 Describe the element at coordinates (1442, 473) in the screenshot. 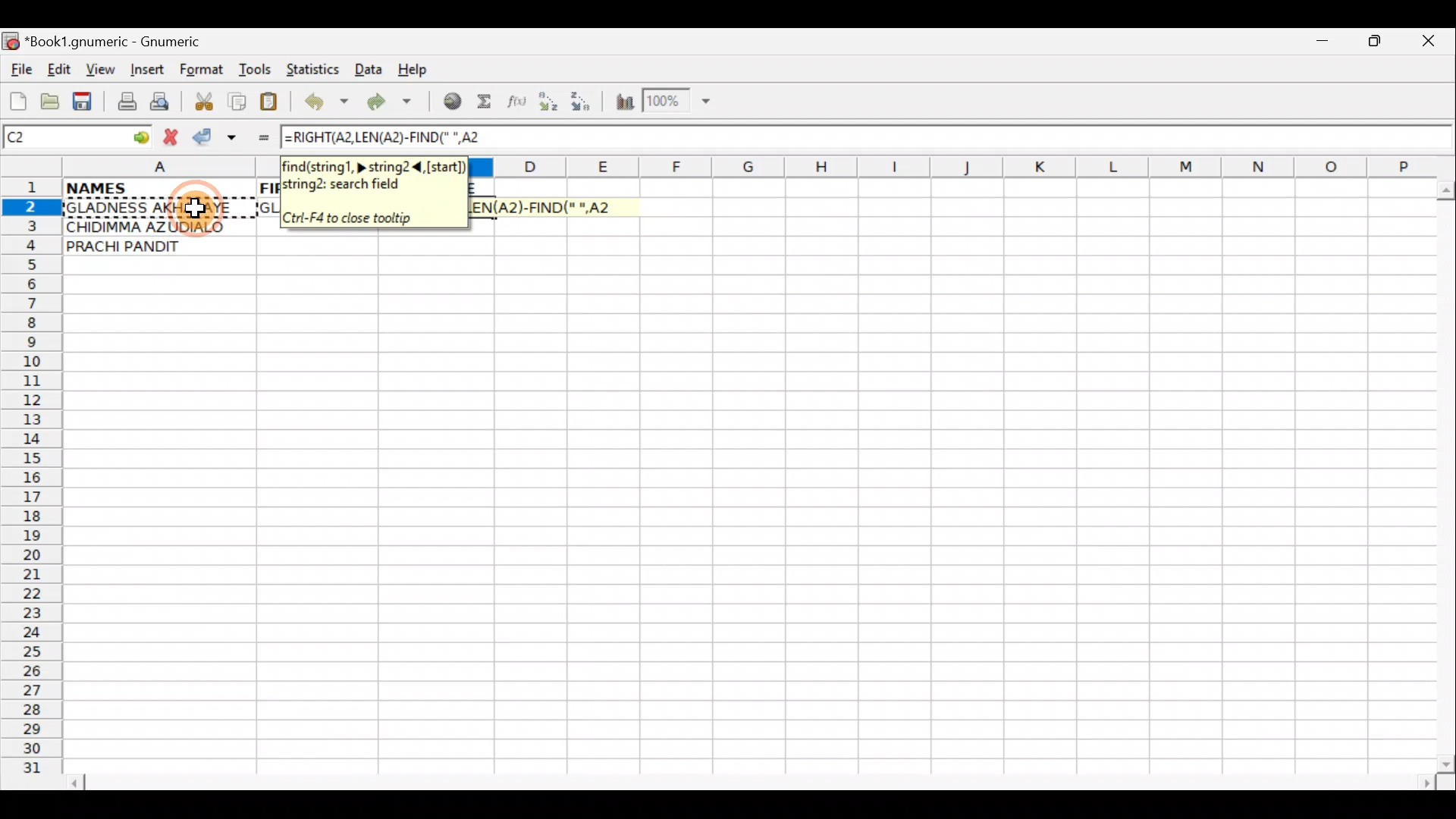

I see `Scroll bar` at that location.